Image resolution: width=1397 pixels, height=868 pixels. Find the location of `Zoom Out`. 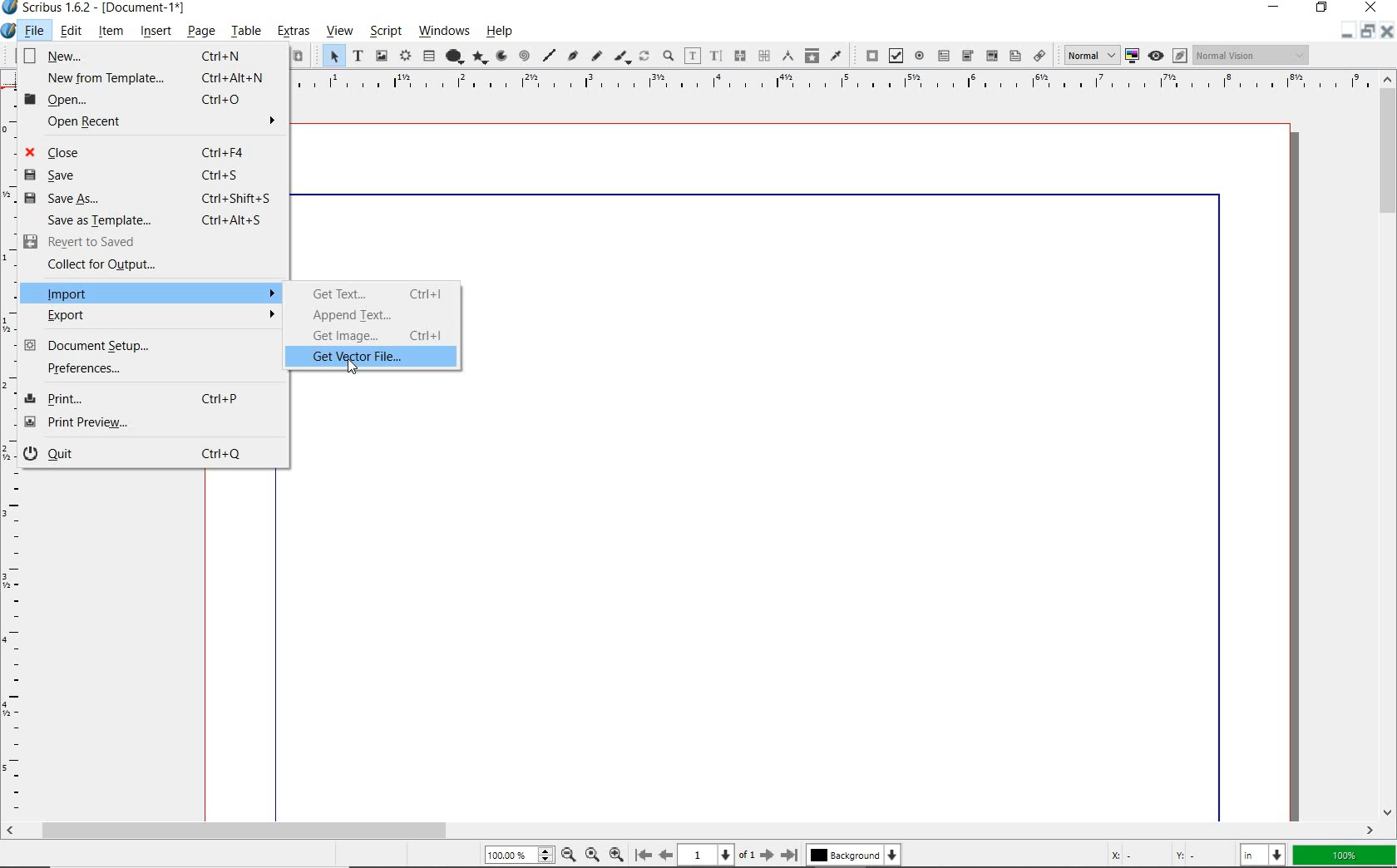

Zoom Out is located at coordinates (569, 855).